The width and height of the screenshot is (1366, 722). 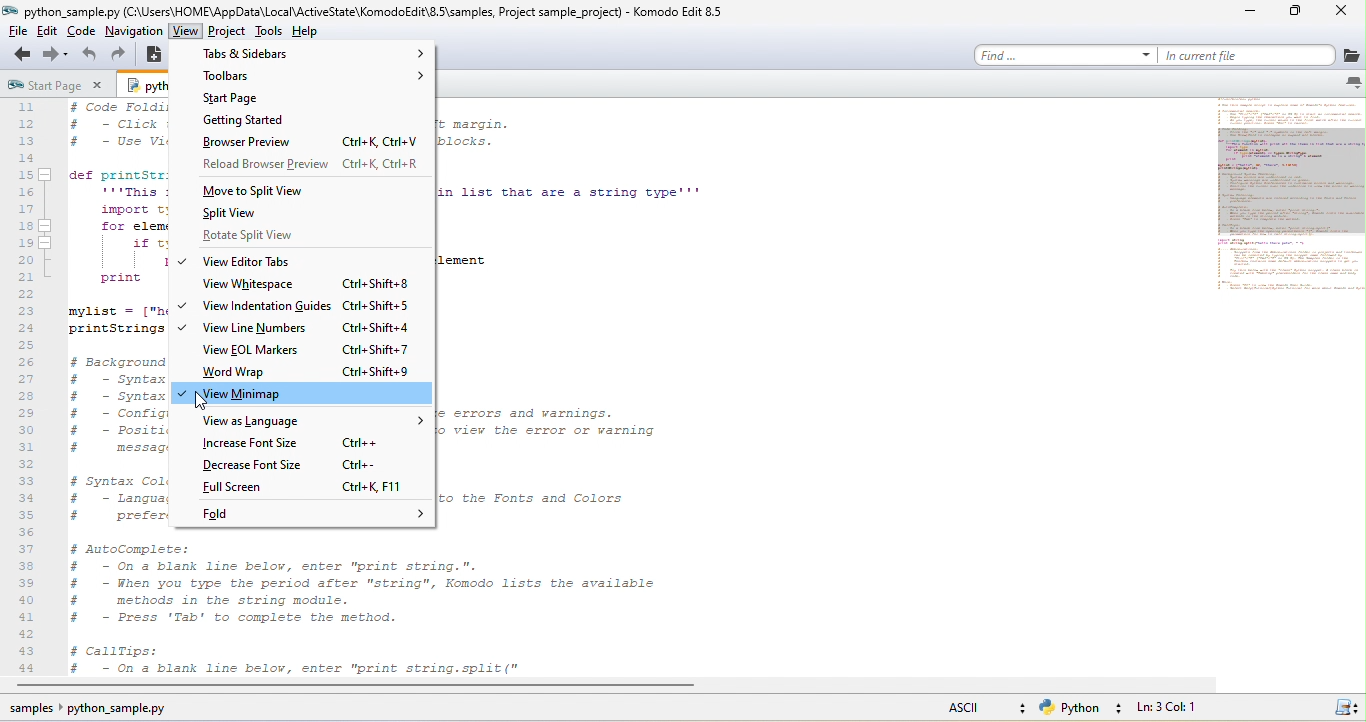 I want to click on back, so click(x=18, y=55).